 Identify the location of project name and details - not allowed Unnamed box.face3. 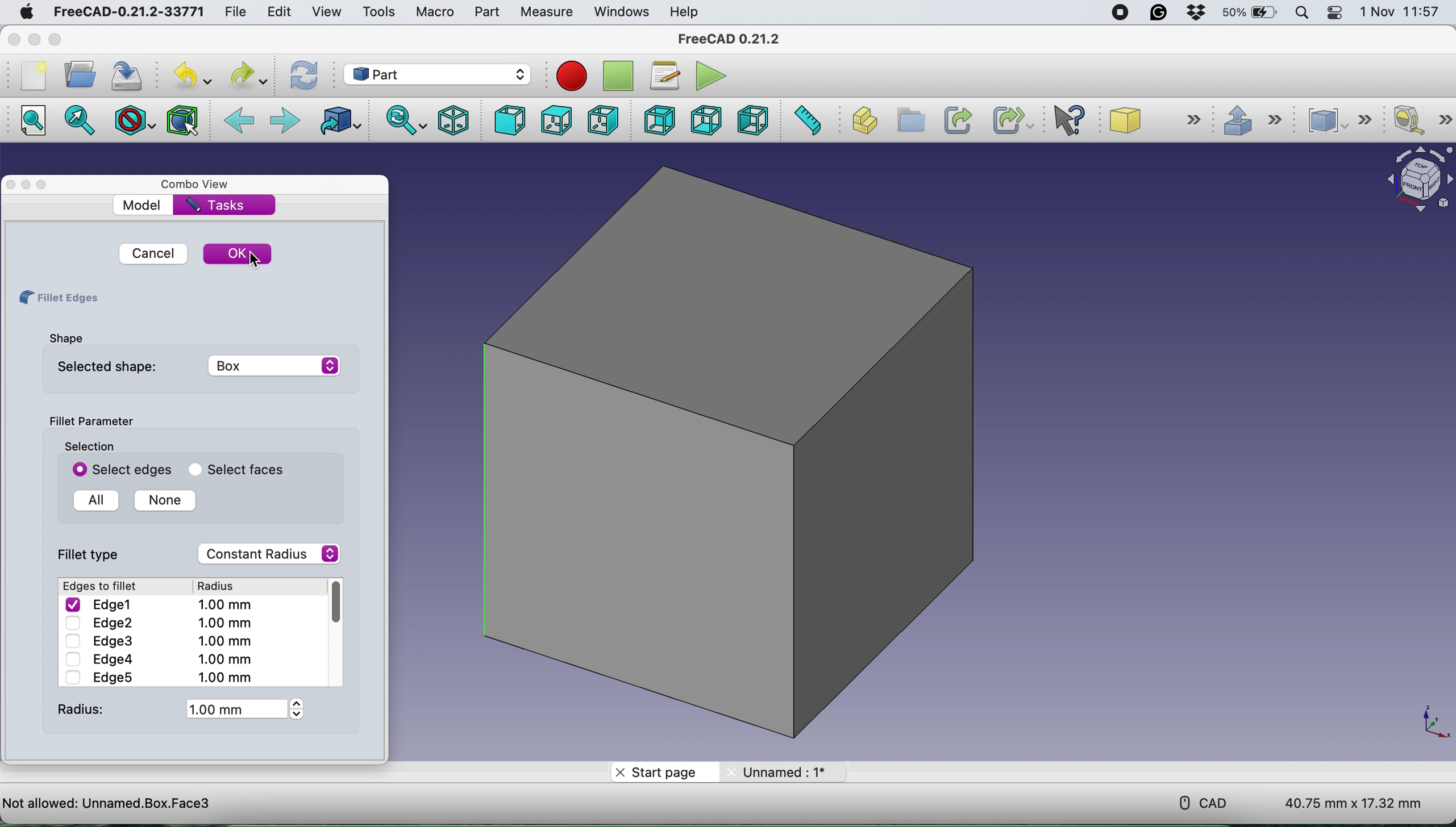
(253, 802).